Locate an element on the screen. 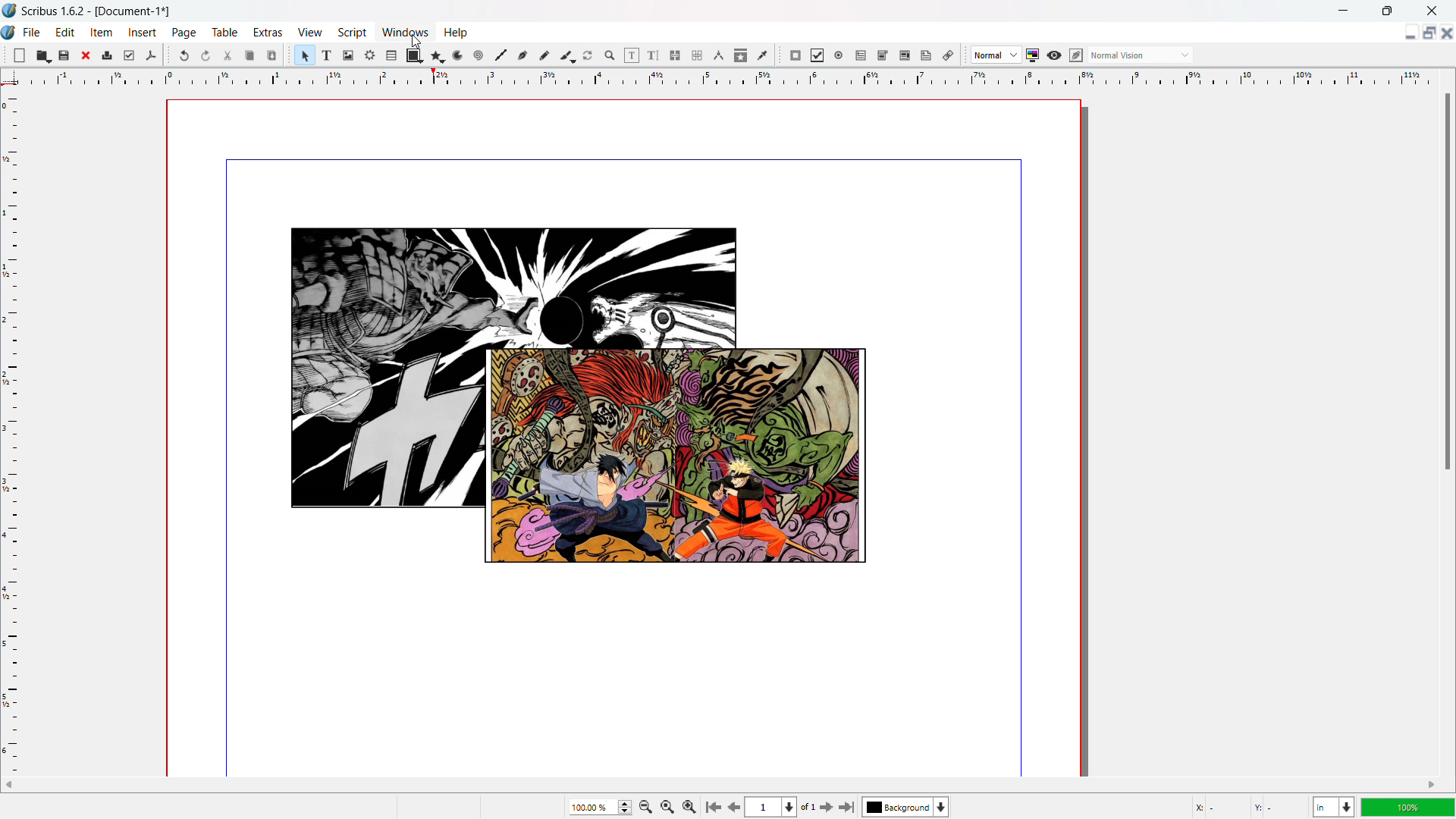 This screenshot has height=819, width=1456. maximize window is located at coordinates (1385, 10).